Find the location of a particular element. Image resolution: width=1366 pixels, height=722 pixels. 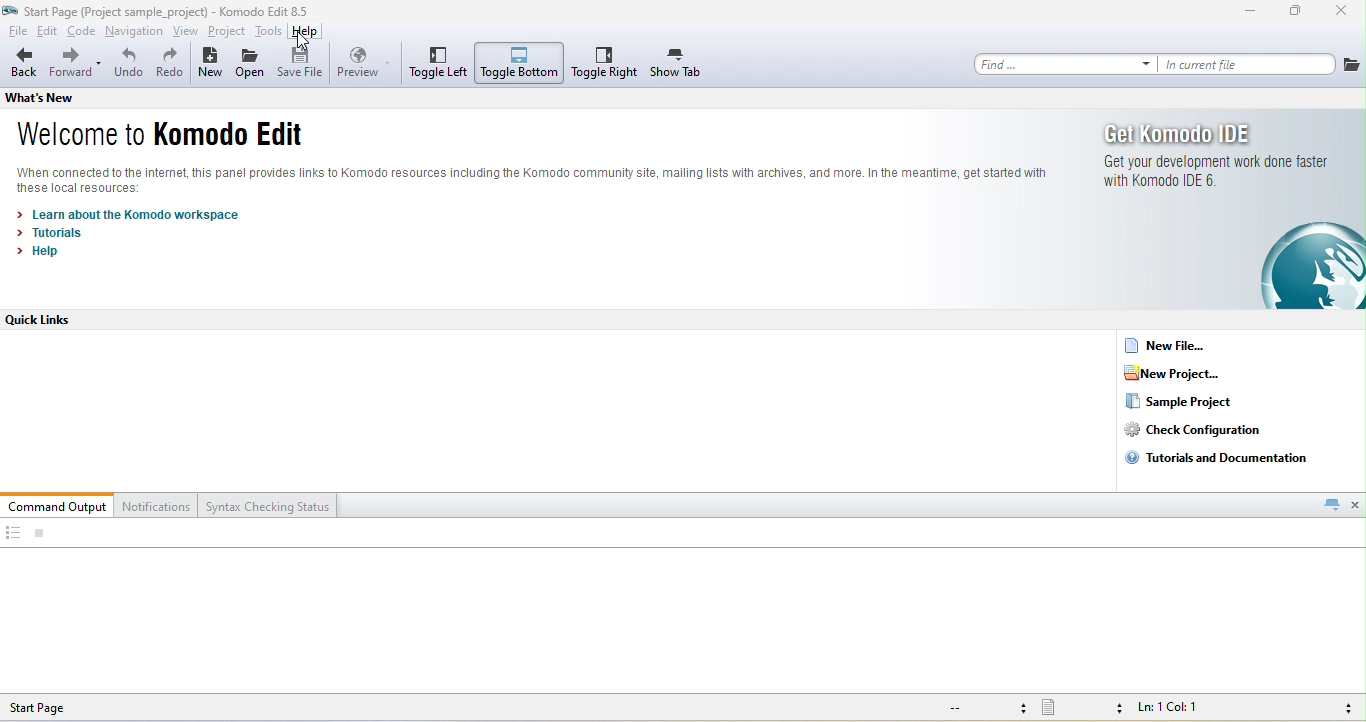

cursor is located at coordinates (304, 43).